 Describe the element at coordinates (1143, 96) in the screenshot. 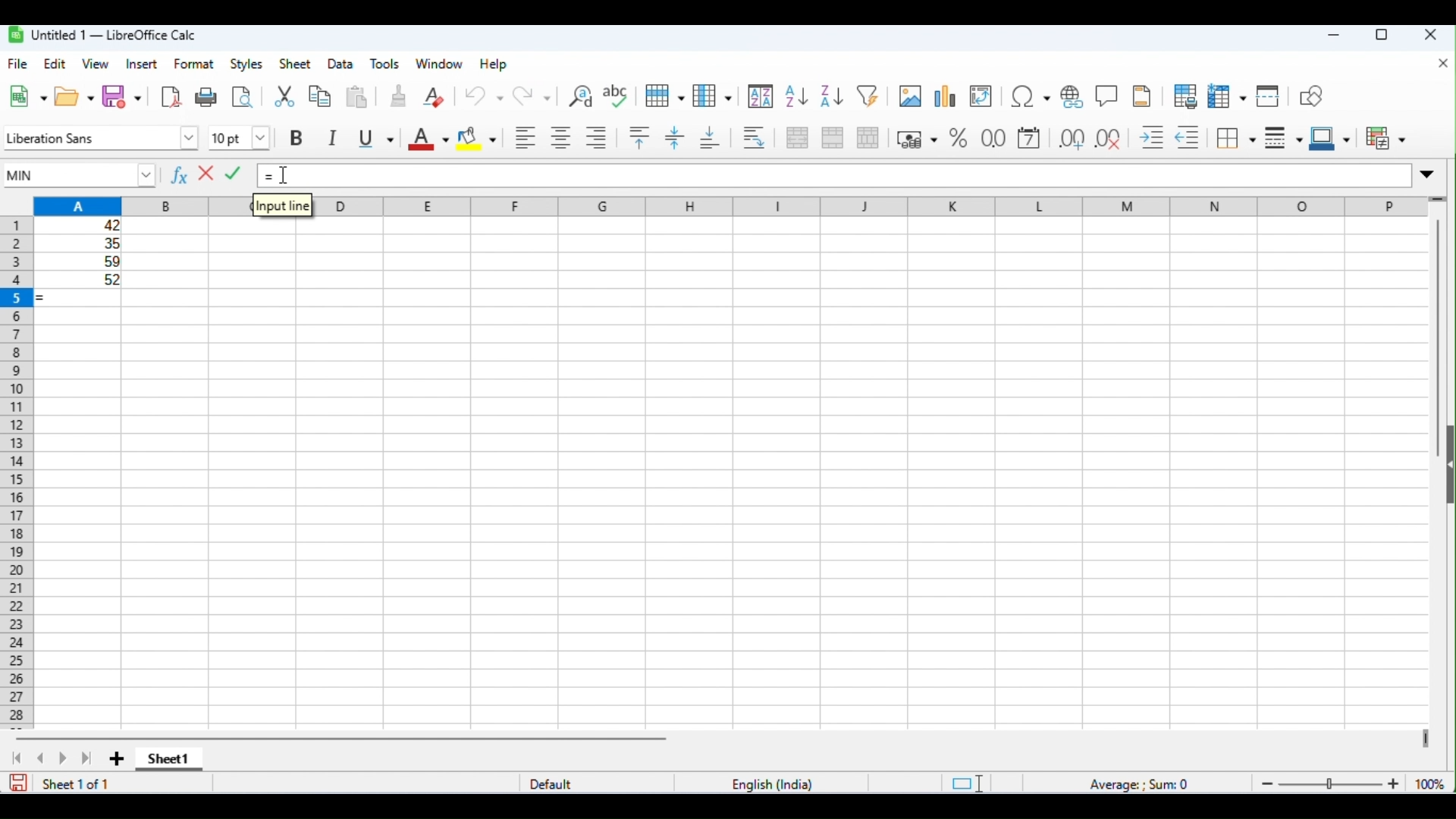

I see `insert header and footer` at that location.